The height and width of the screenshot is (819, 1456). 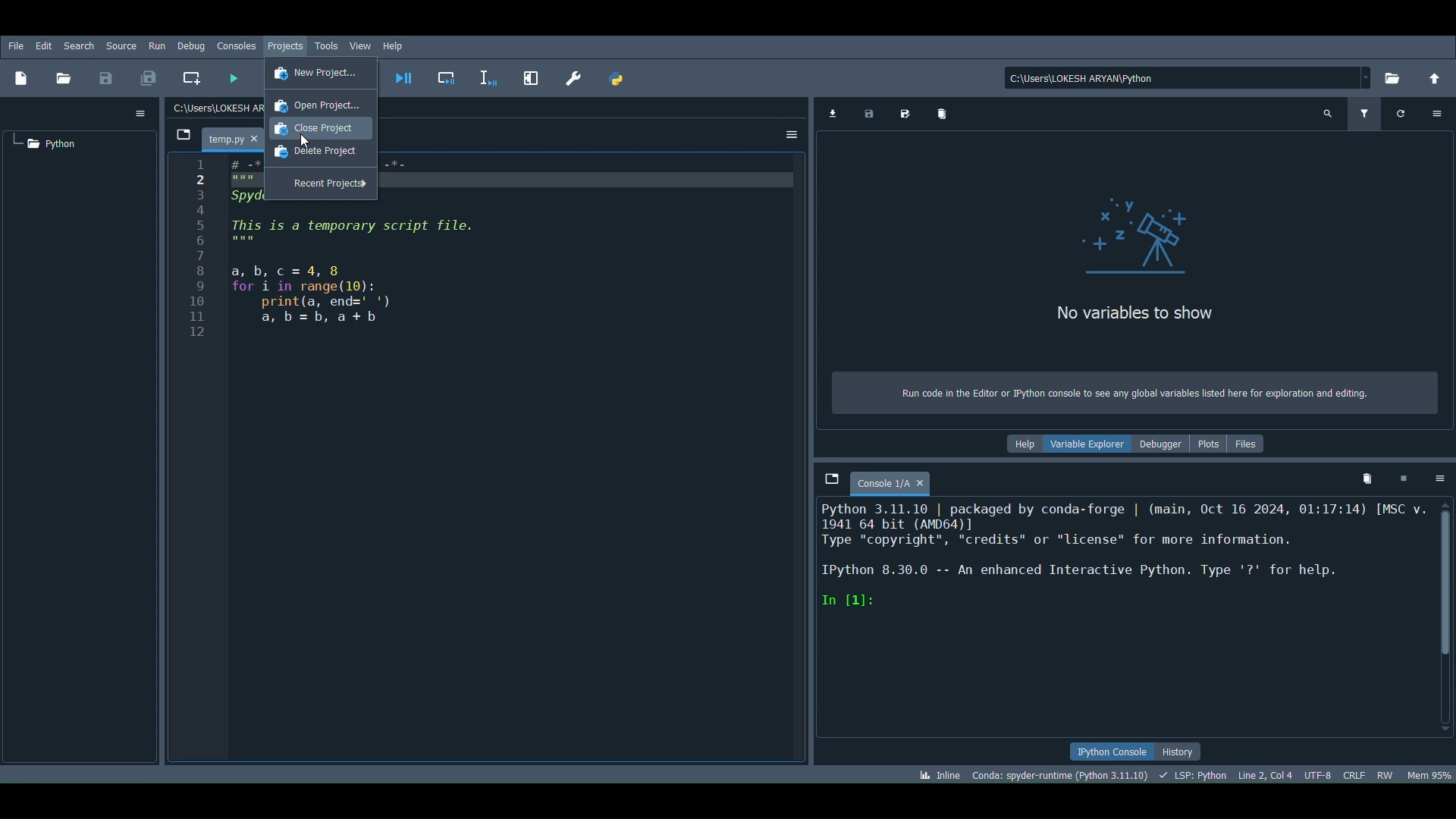 I want to click on Options, so click(x=1435, y=481).